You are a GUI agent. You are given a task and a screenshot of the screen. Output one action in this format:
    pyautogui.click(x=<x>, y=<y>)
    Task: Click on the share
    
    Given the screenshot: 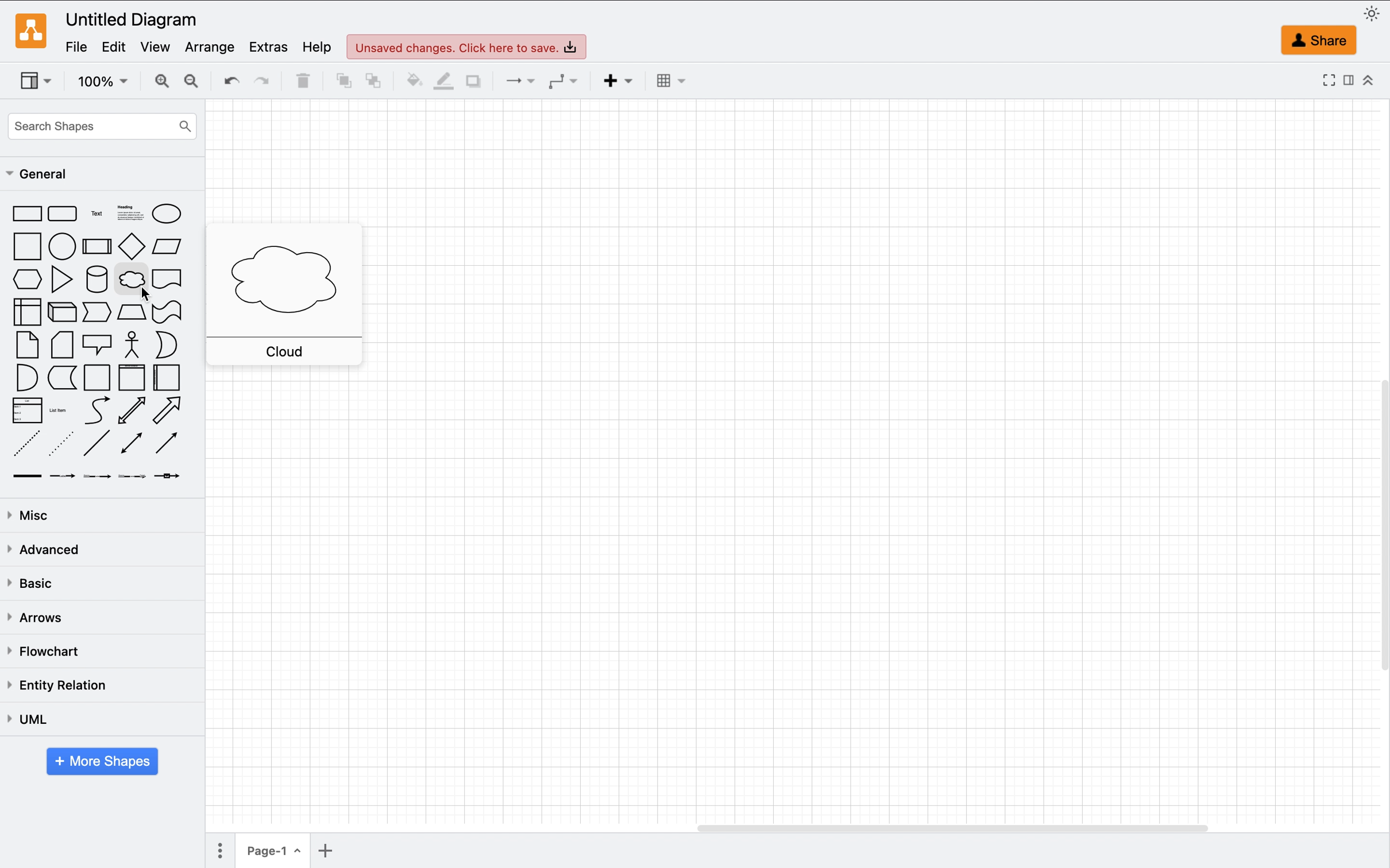 What is the action you would take?
    pyautogui.click(x=1312, y=39)
    